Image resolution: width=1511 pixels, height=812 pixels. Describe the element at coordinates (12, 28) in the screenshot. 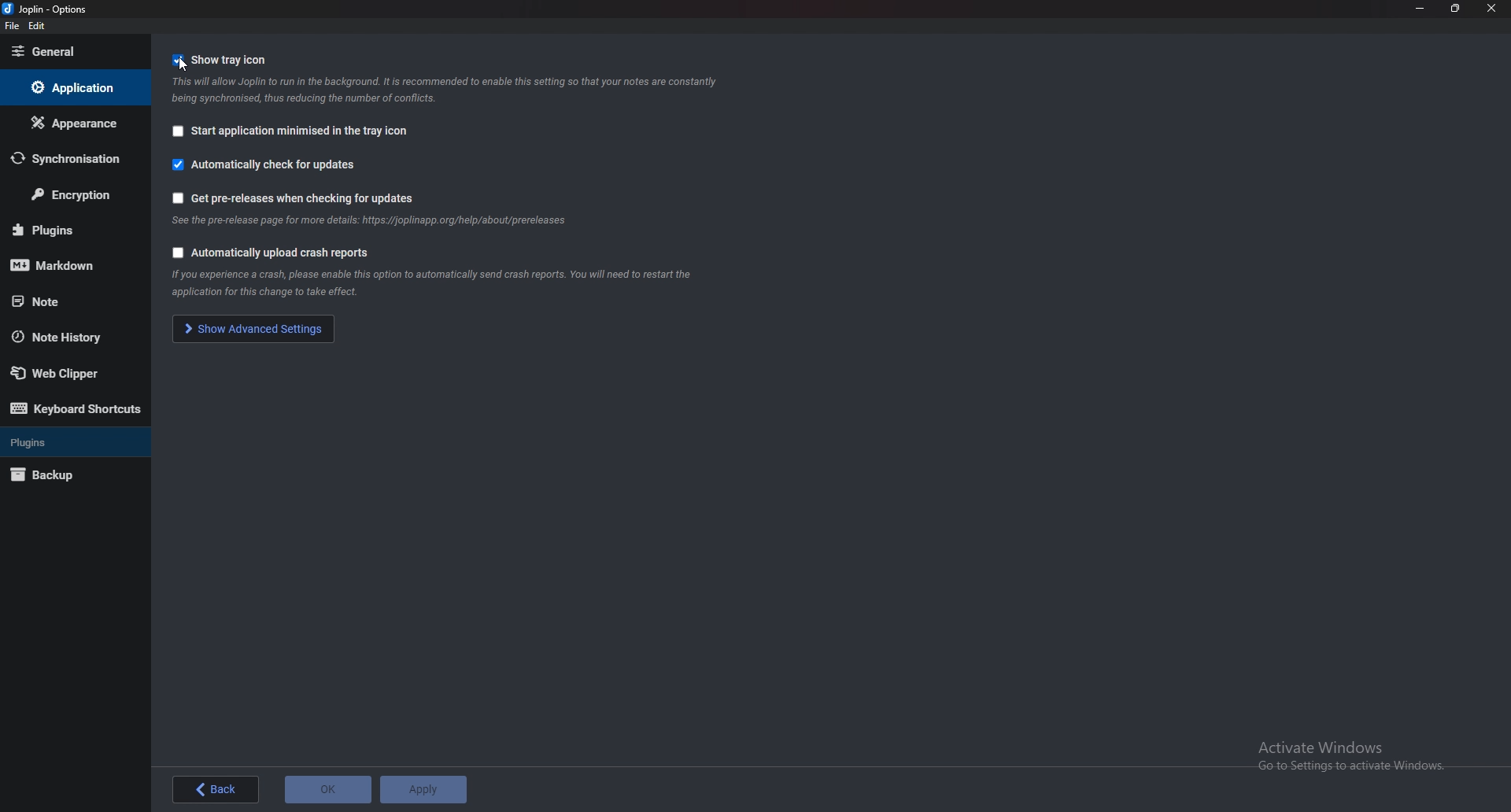

I see `file` at that location.